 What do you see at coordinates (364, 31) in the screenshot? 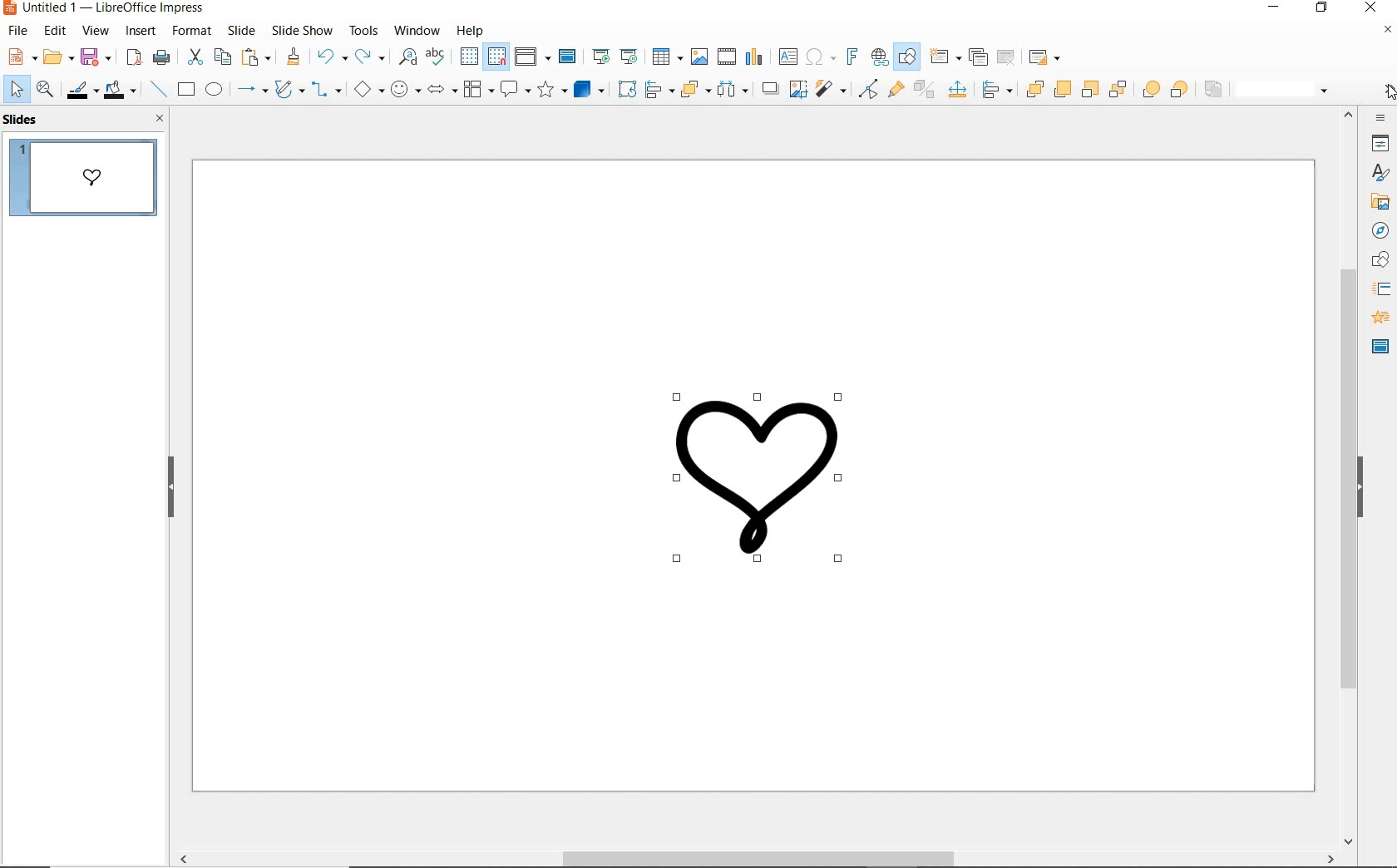
I see `tools` at bounding box center [364, 31].